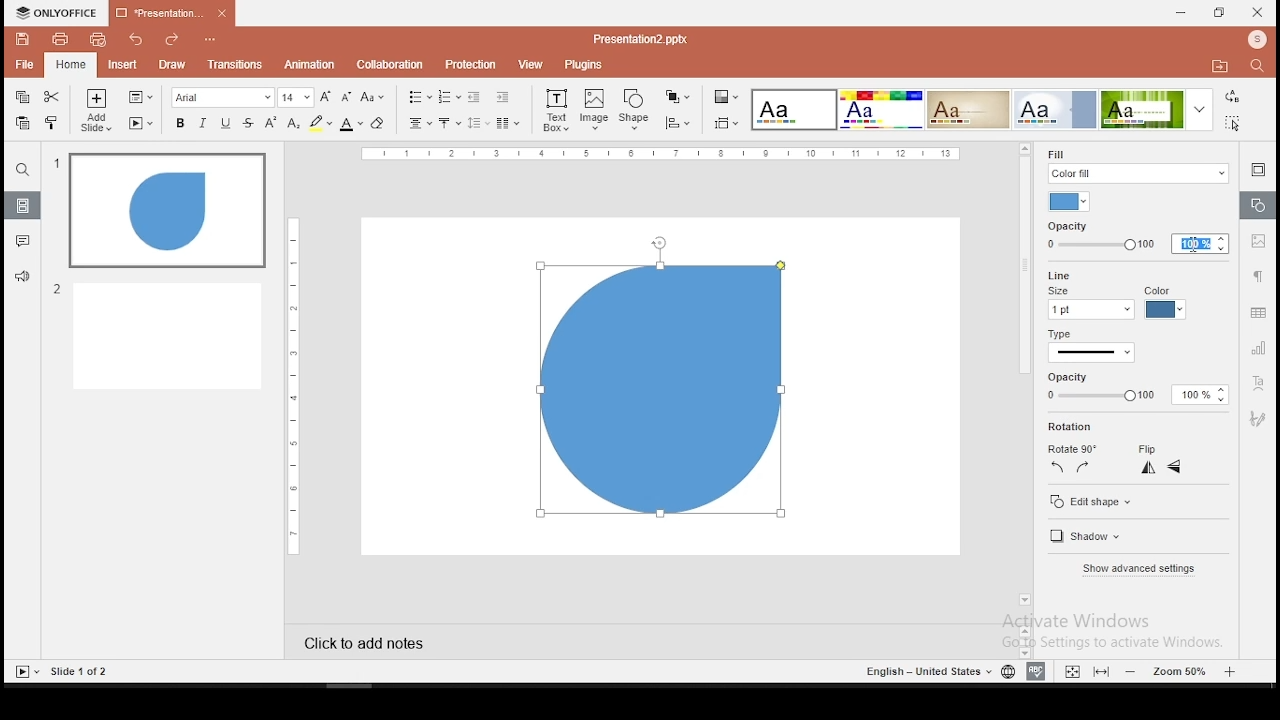 The image size is (1280, 720). Describe the element at coordinates (60, 12) in the screenshot. I see `icon` at that location.